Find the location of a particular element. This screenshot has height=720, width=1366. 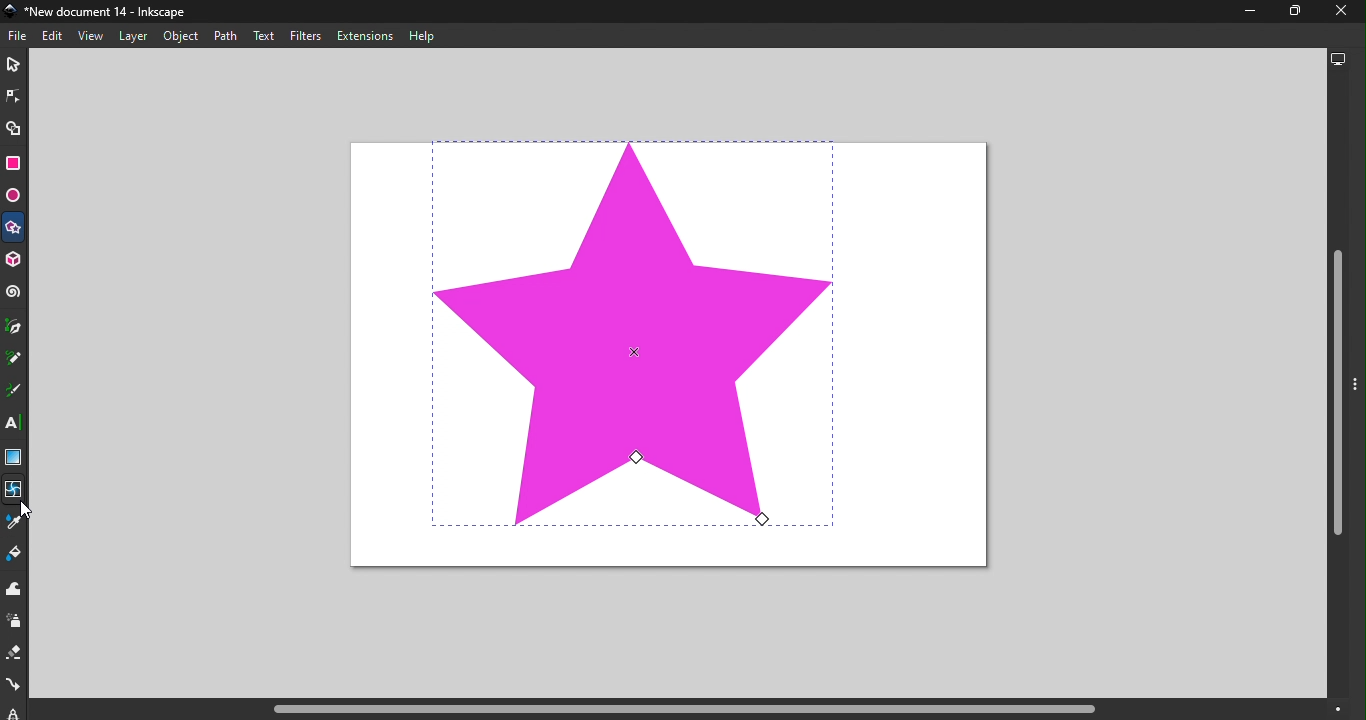

Dropper tool is located at coordinates (14, 525).